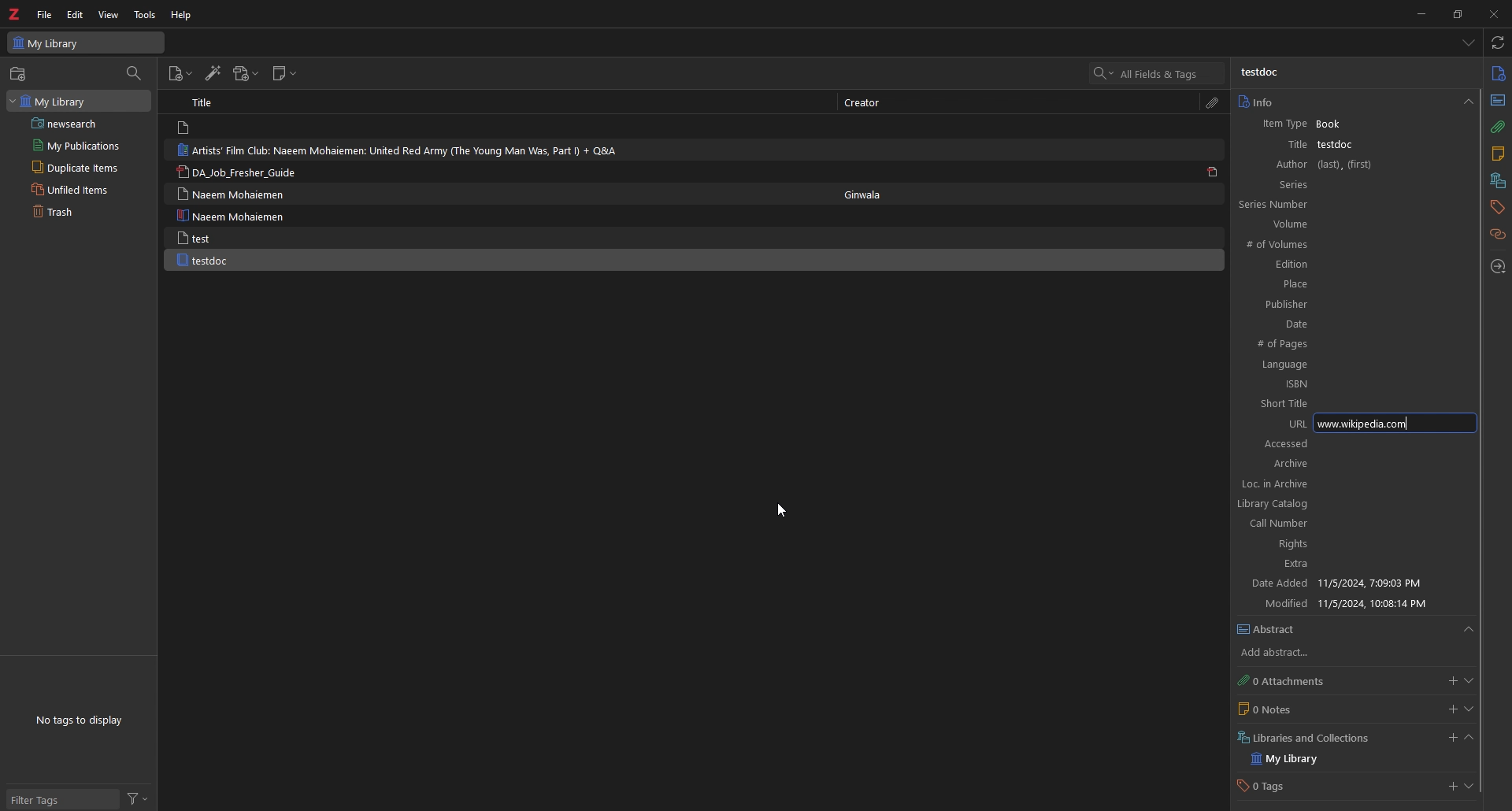  What do you see at coordinates (869, 102) in the screenshot?
I see `Creator` at bounding box center [869, 102].